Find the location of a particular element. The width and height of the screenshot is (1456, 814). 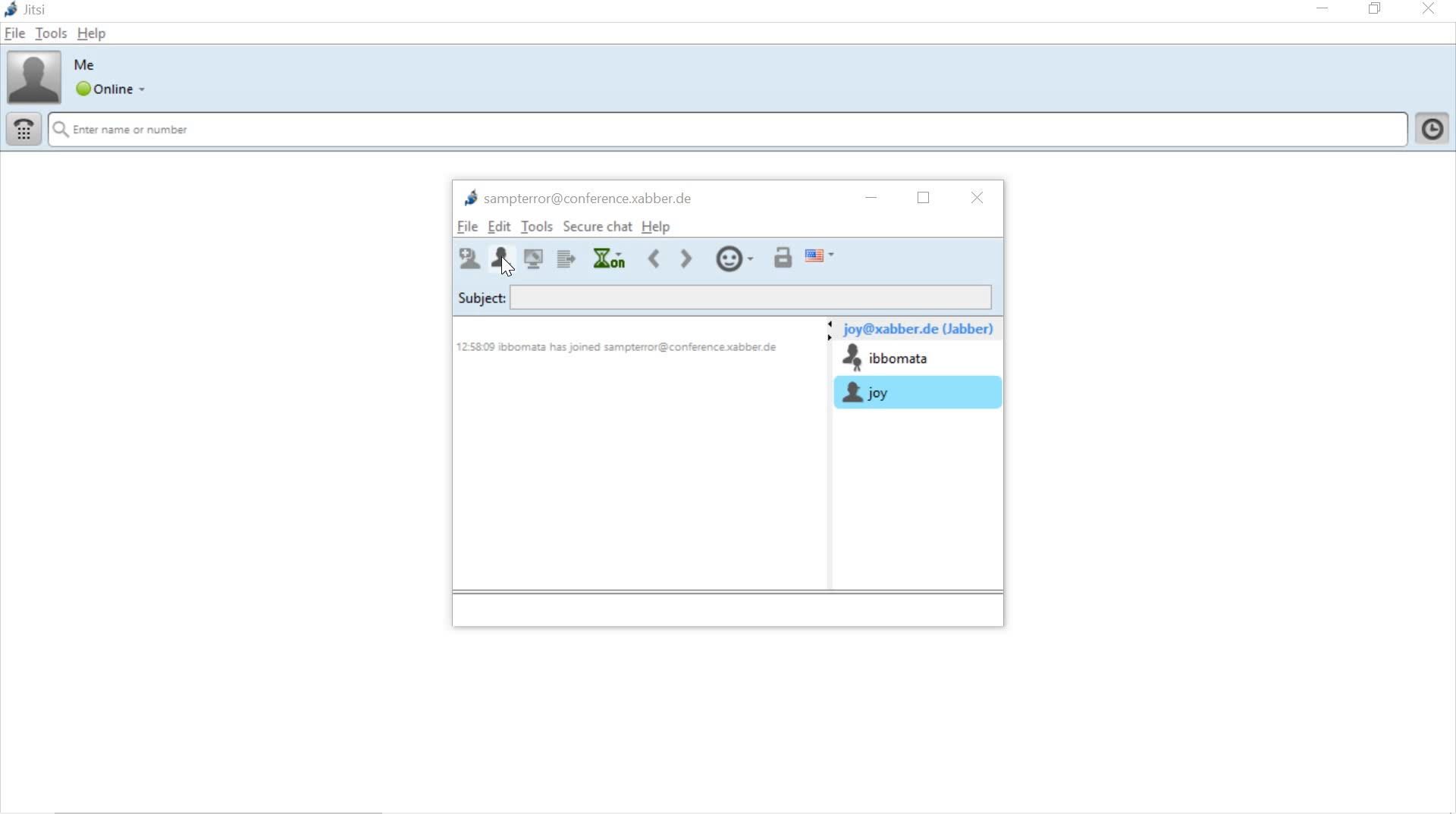

close is located at coordinates (980, 198).